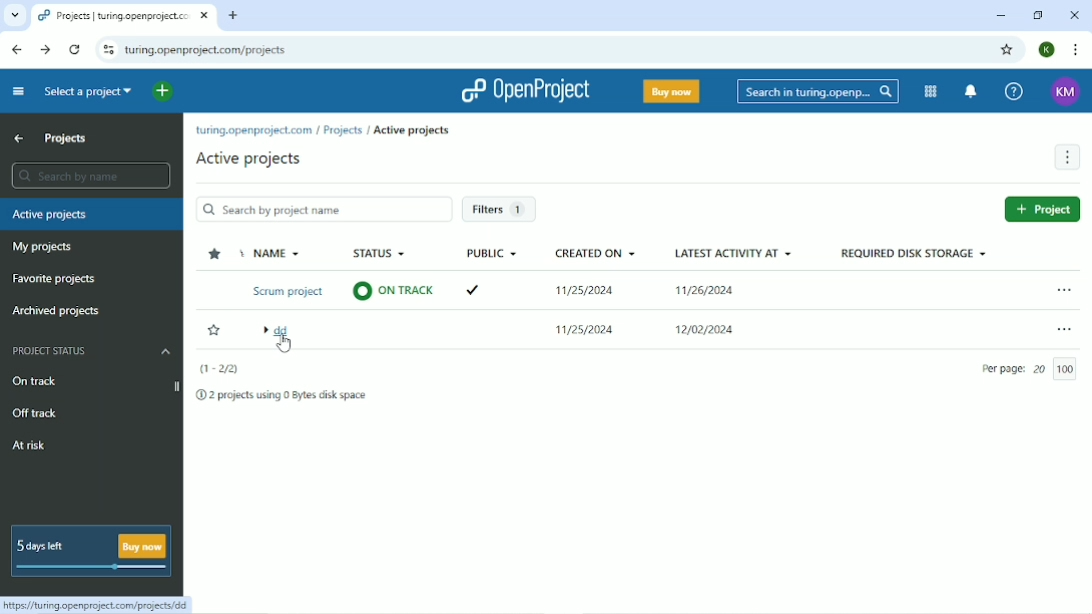 This screenshot has height=614, width=1092. Describe the element at coordinates (715, 330) in the screenshot. I see `12/02/2024` at that location.